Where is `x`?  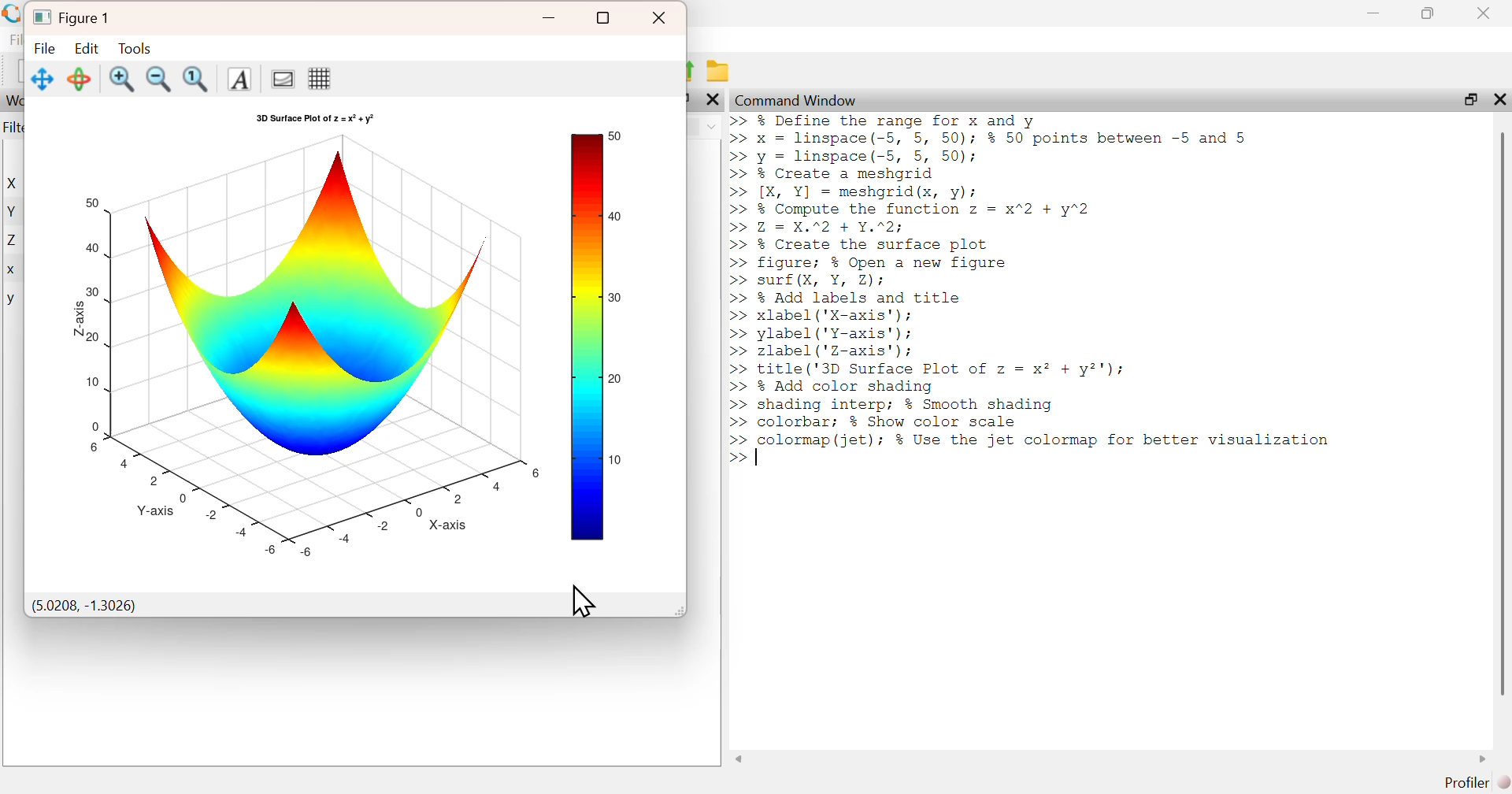 x is located at coordinates (13, 271).